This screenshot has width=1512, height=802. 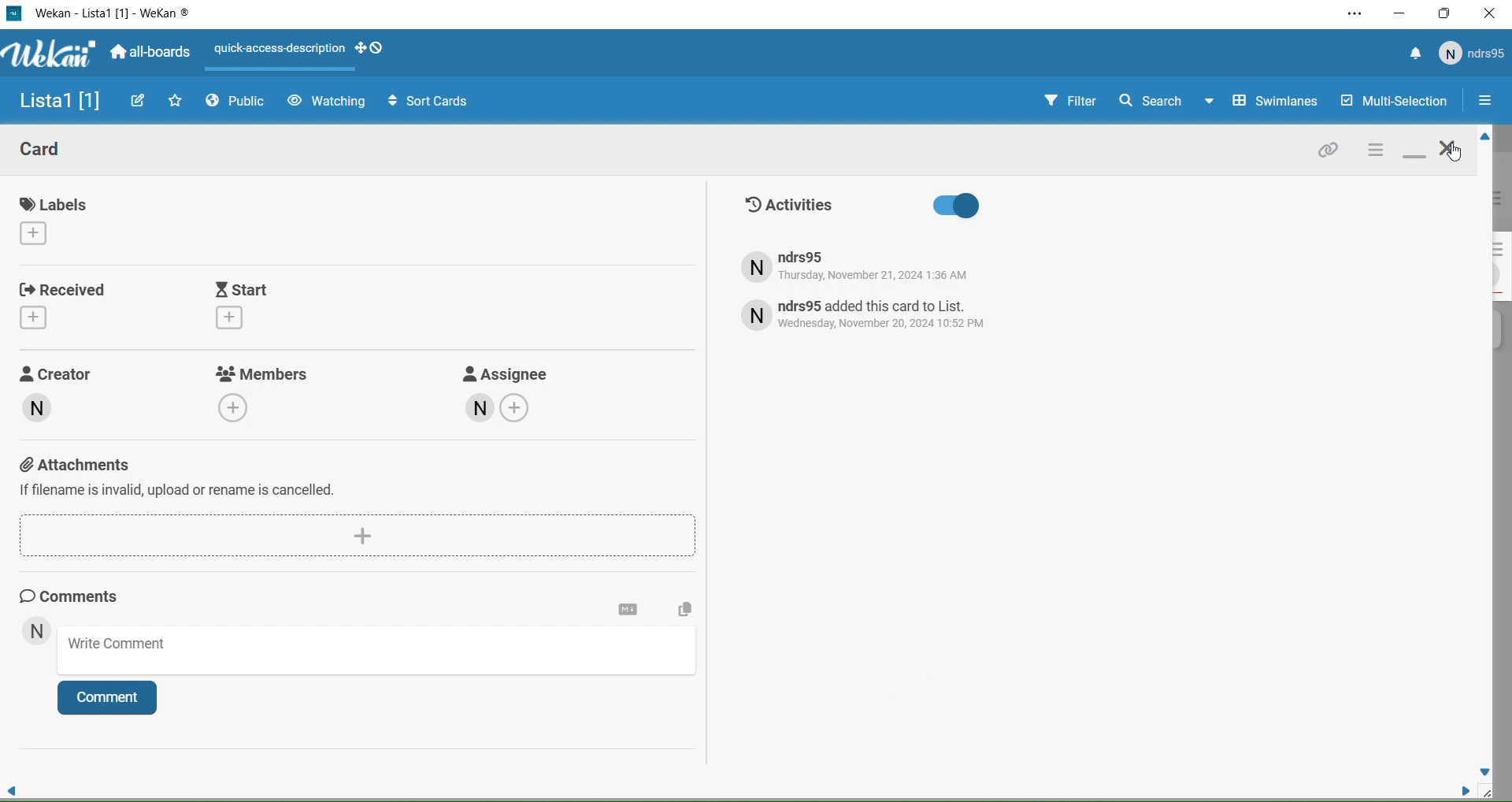 I want to click on move left, so click(x=13, y=786).